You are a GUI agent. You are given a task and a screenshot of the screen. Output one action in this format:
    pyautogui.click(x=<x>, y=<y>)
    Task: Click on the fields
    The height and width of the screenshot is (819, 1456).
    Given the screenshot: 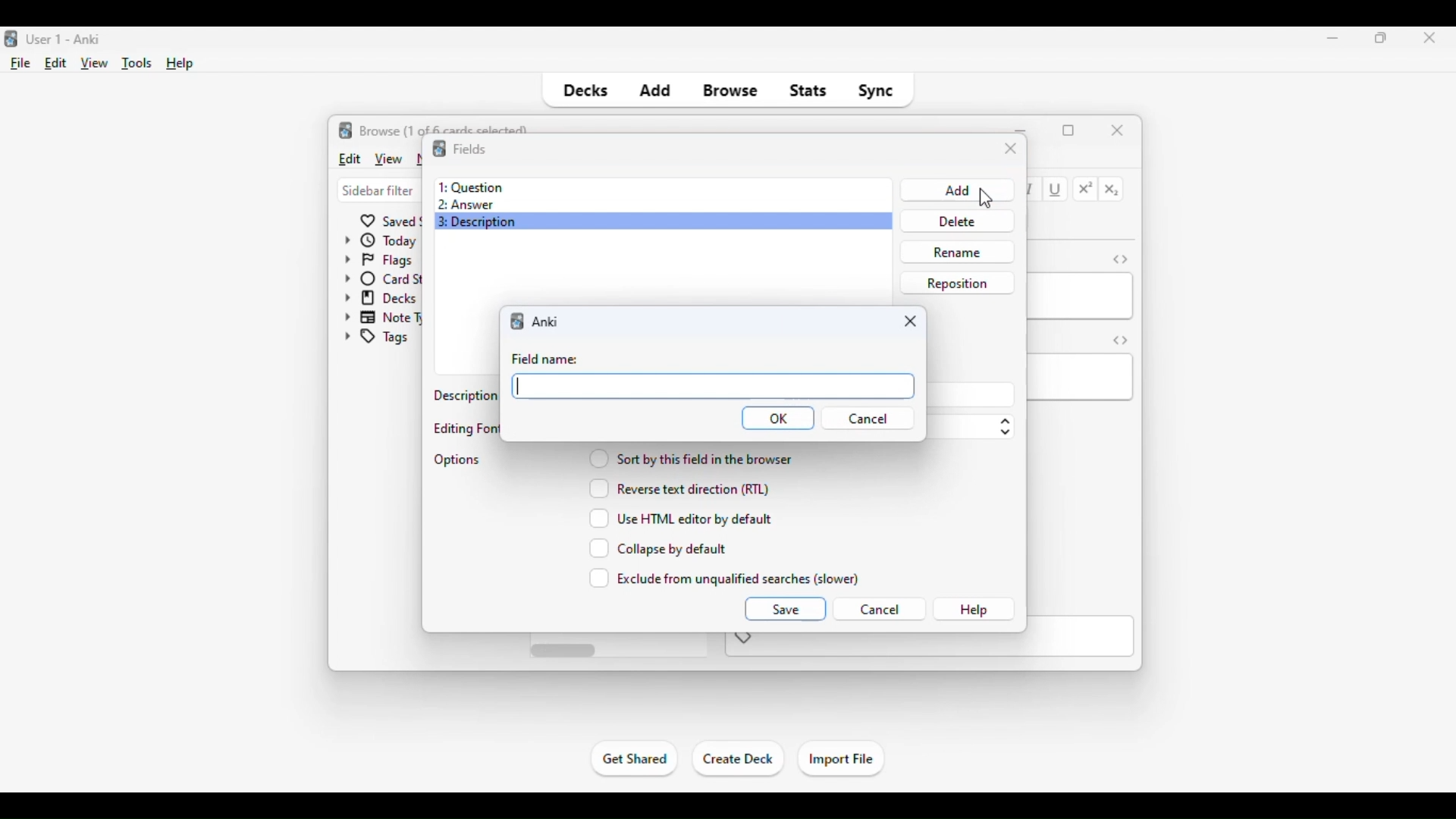 What is the action you would take?
    pyautogui.click(x=469, y=148)
    